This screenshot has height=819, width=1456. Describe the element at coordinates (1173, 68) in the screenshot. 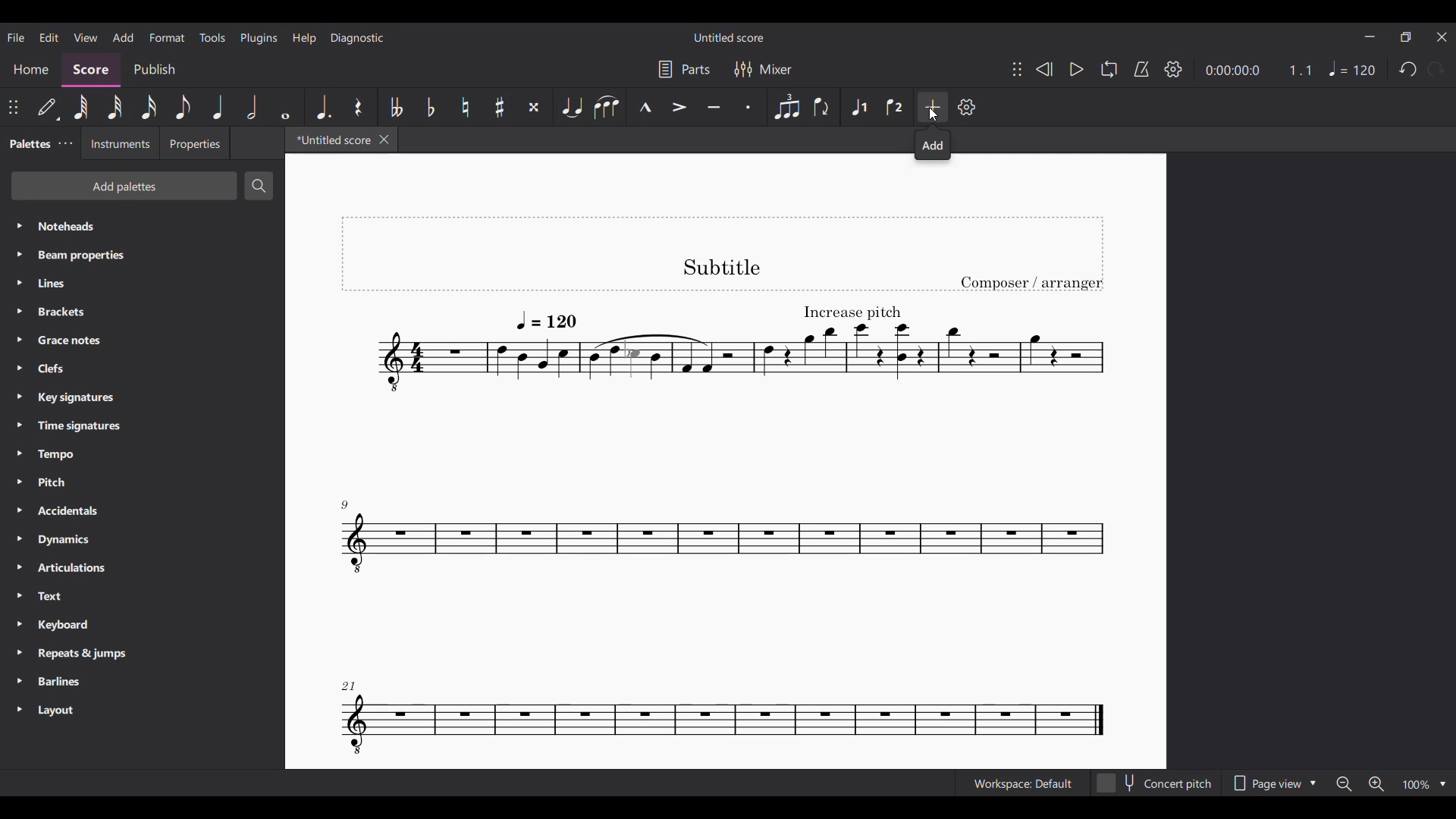

I see `Settings` at that location.